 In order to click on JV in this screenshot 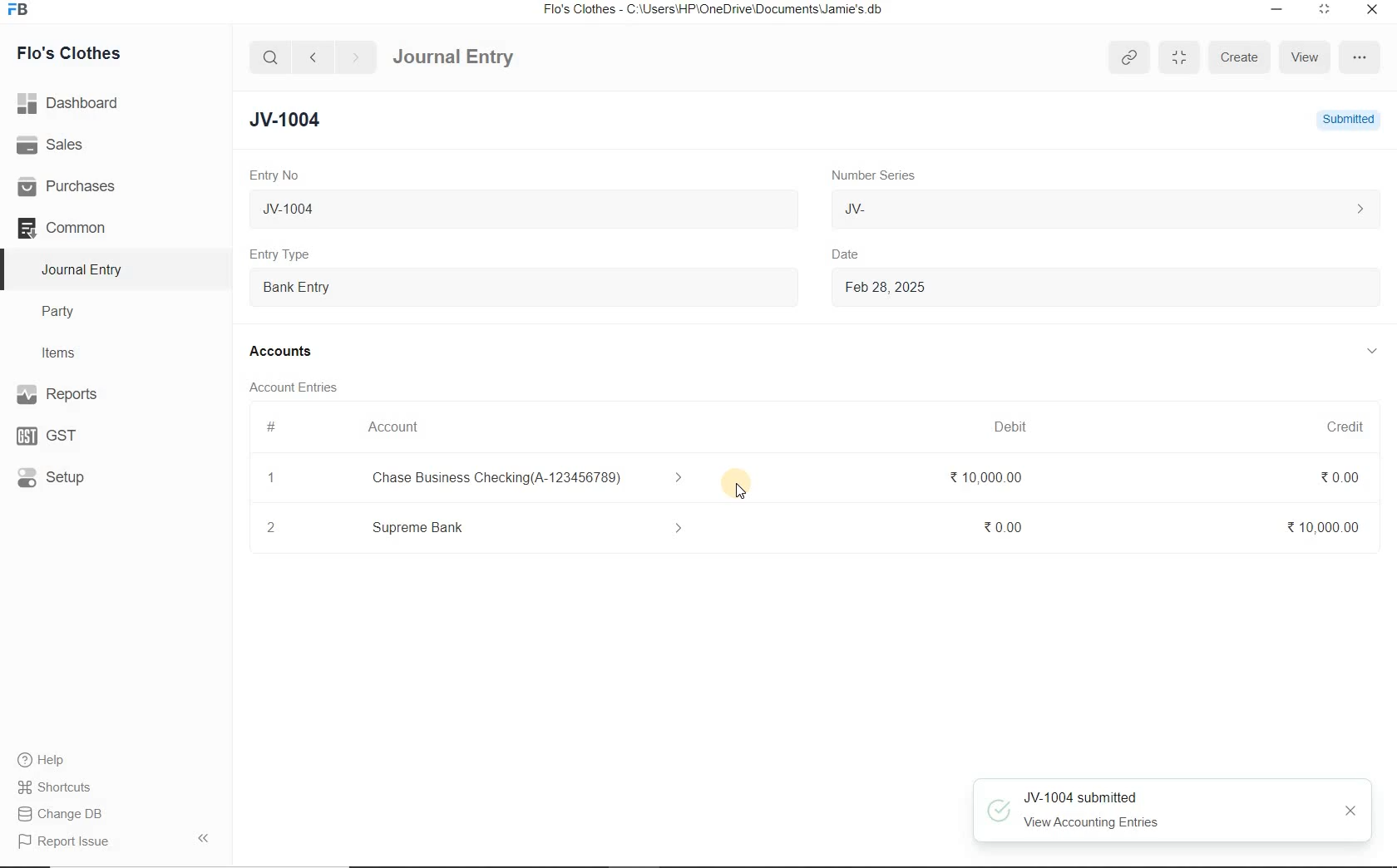, I will do `click(1097, 209)`.